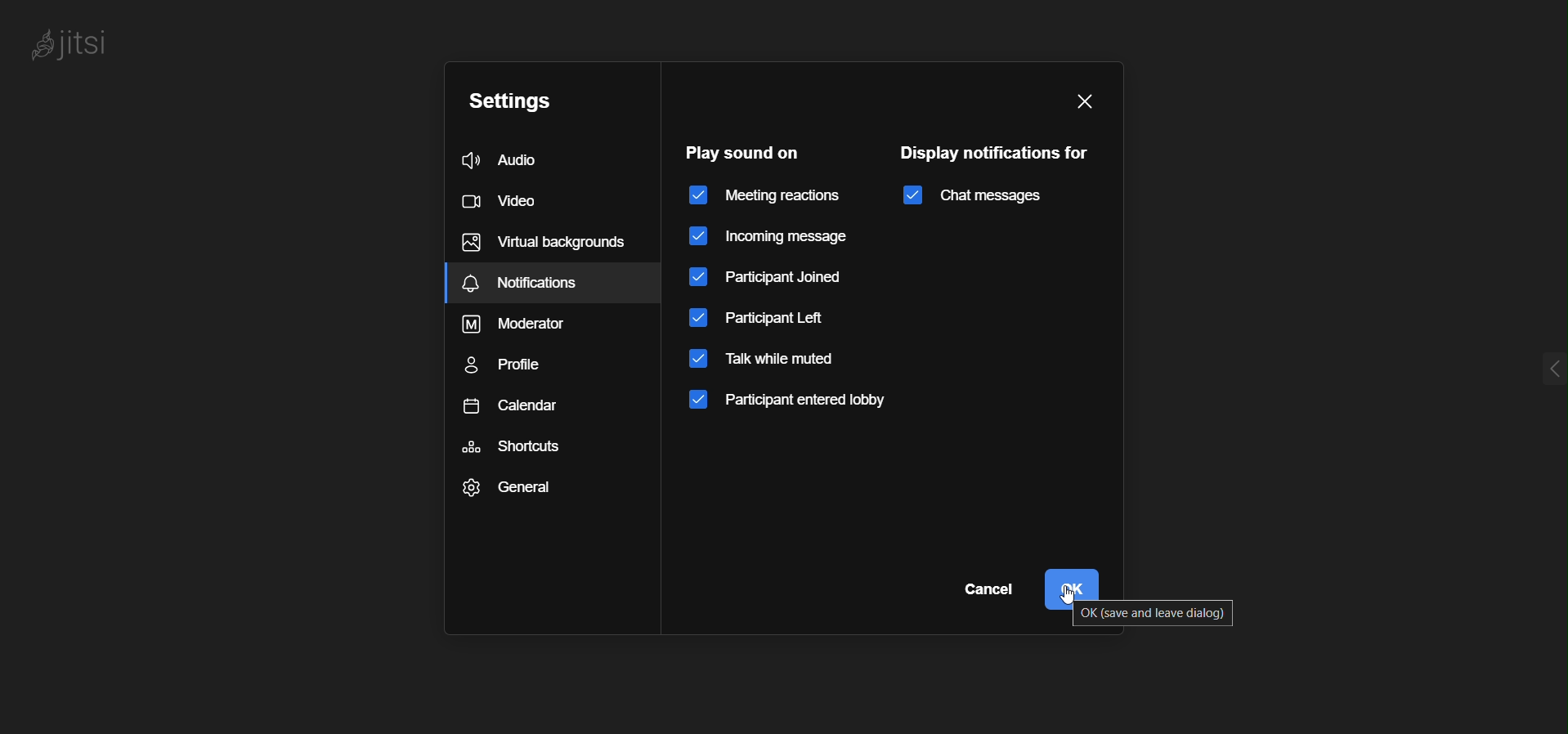 This screenshot has height=734, width=1568. I want to click on incoming message, so click(769, 235).